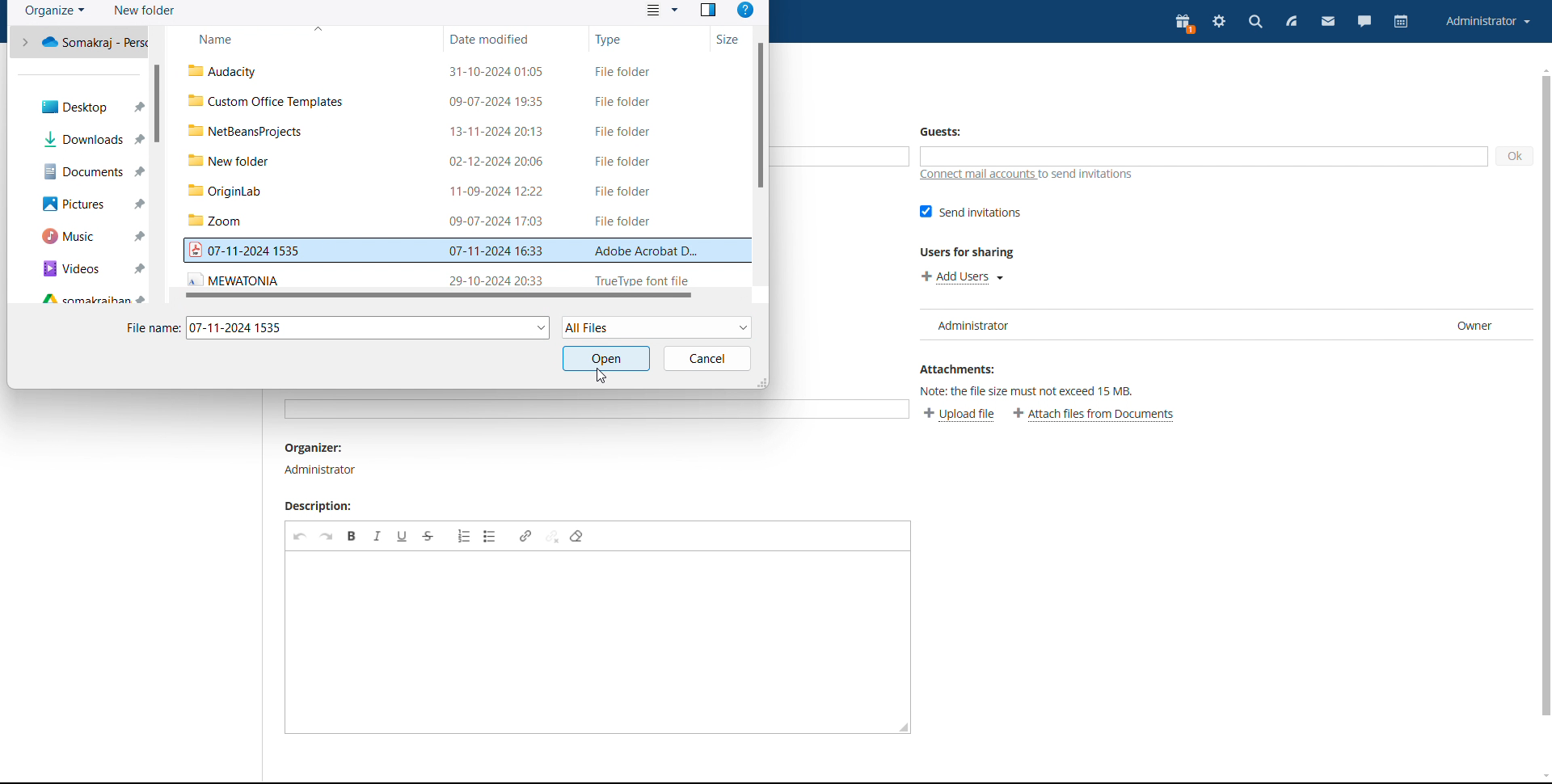 This screenshot has height=784, width=1552. What do you see at coordinates (525, 535) in the screenshot?
I see `link` at bounding box center [525, 535].